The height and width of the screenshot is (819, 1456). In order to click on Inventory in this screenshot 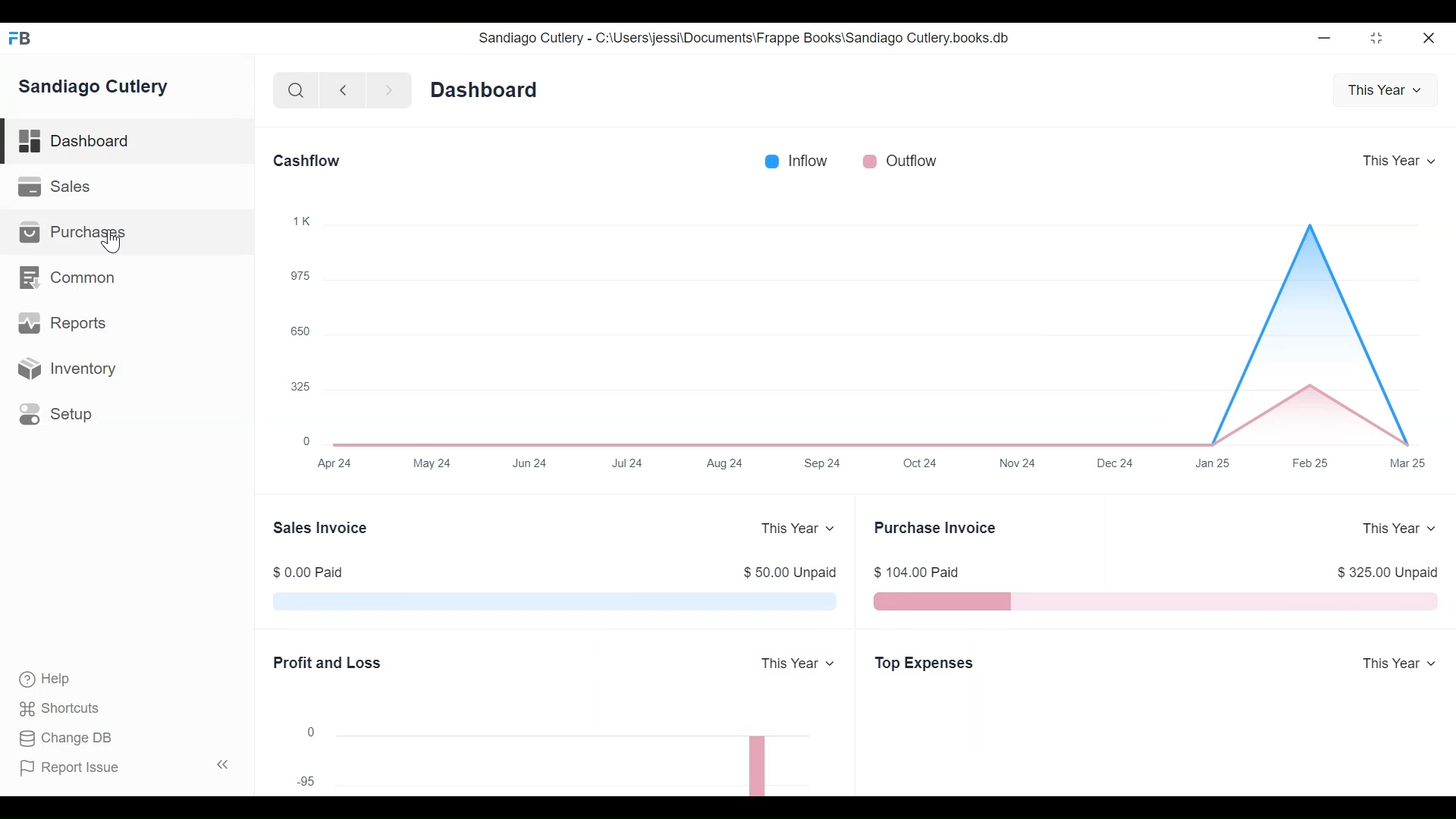, I will do `click(76, 372)`.